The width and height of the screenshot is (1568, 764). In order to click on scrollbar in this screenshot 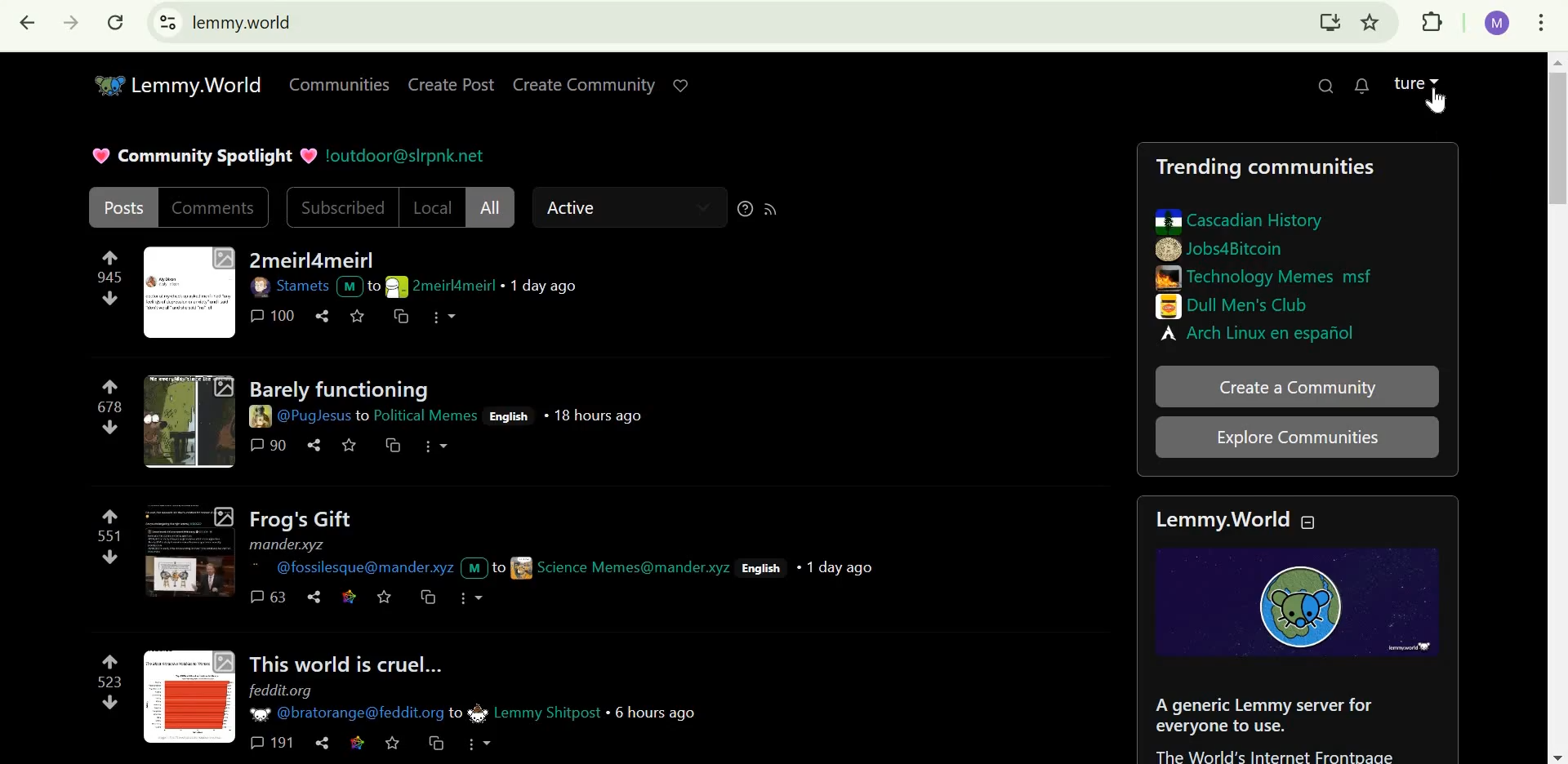, I will do `click(1557, 407)`.